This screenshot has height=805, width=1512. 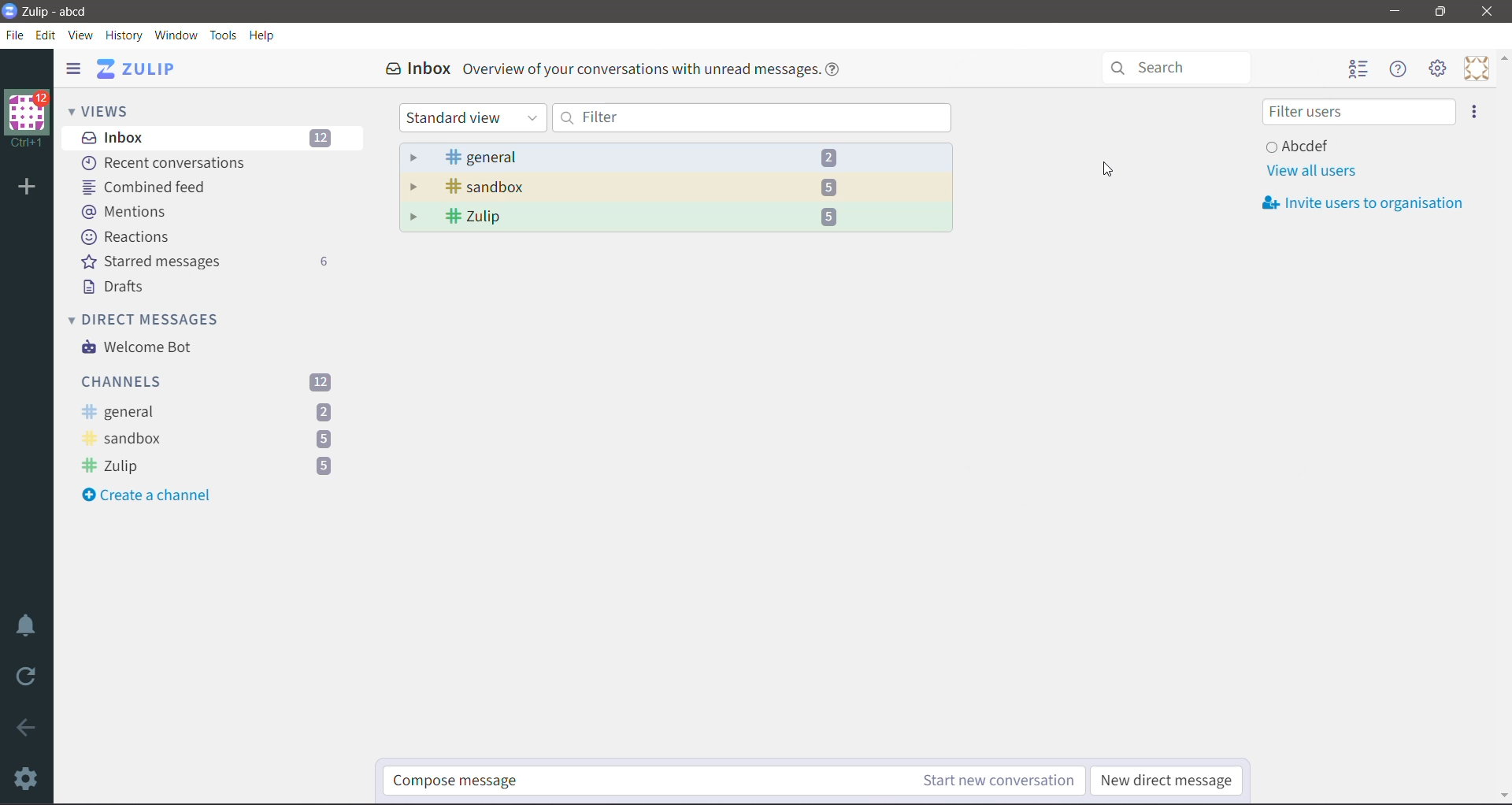 I want to click on Tools, so click(x=224, y=35).